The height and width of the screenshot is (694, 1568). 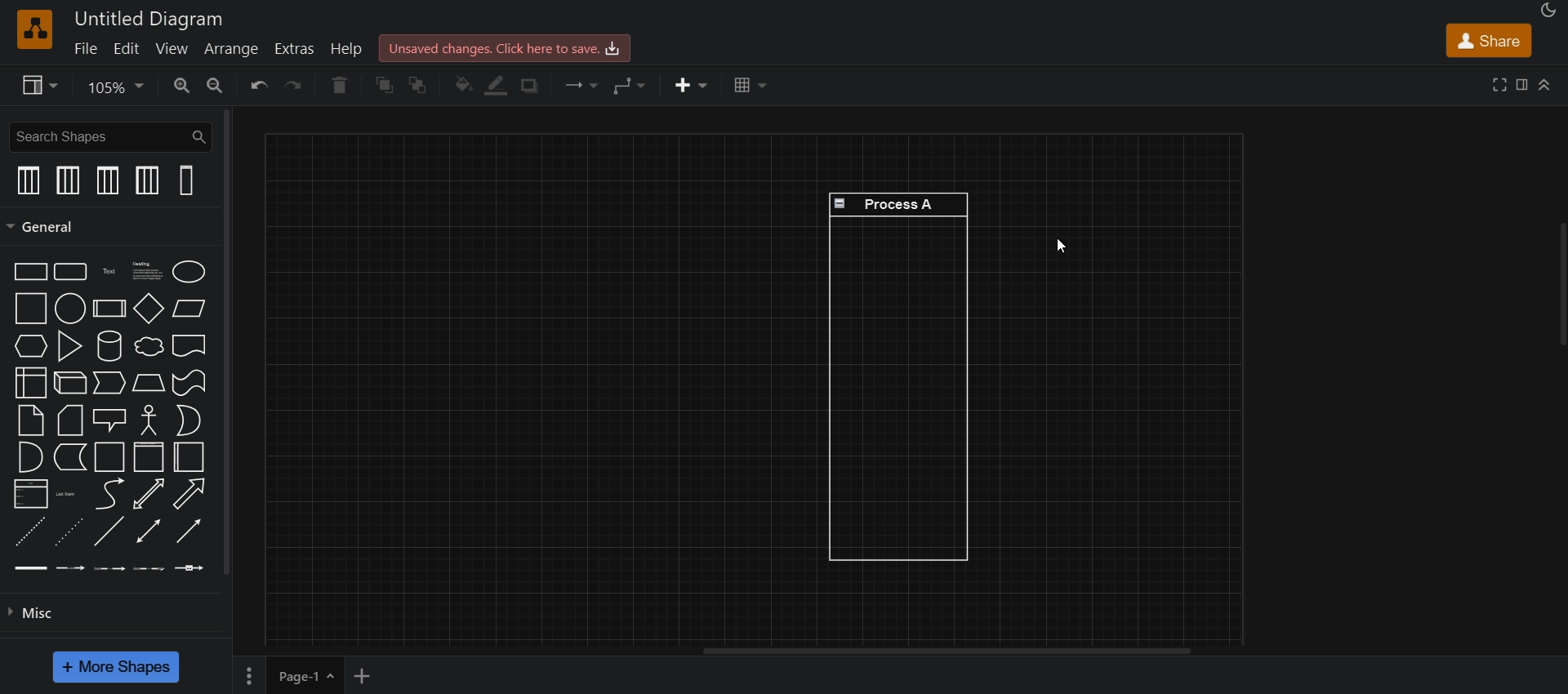 I want to click on file, so click(x=88, y=48).